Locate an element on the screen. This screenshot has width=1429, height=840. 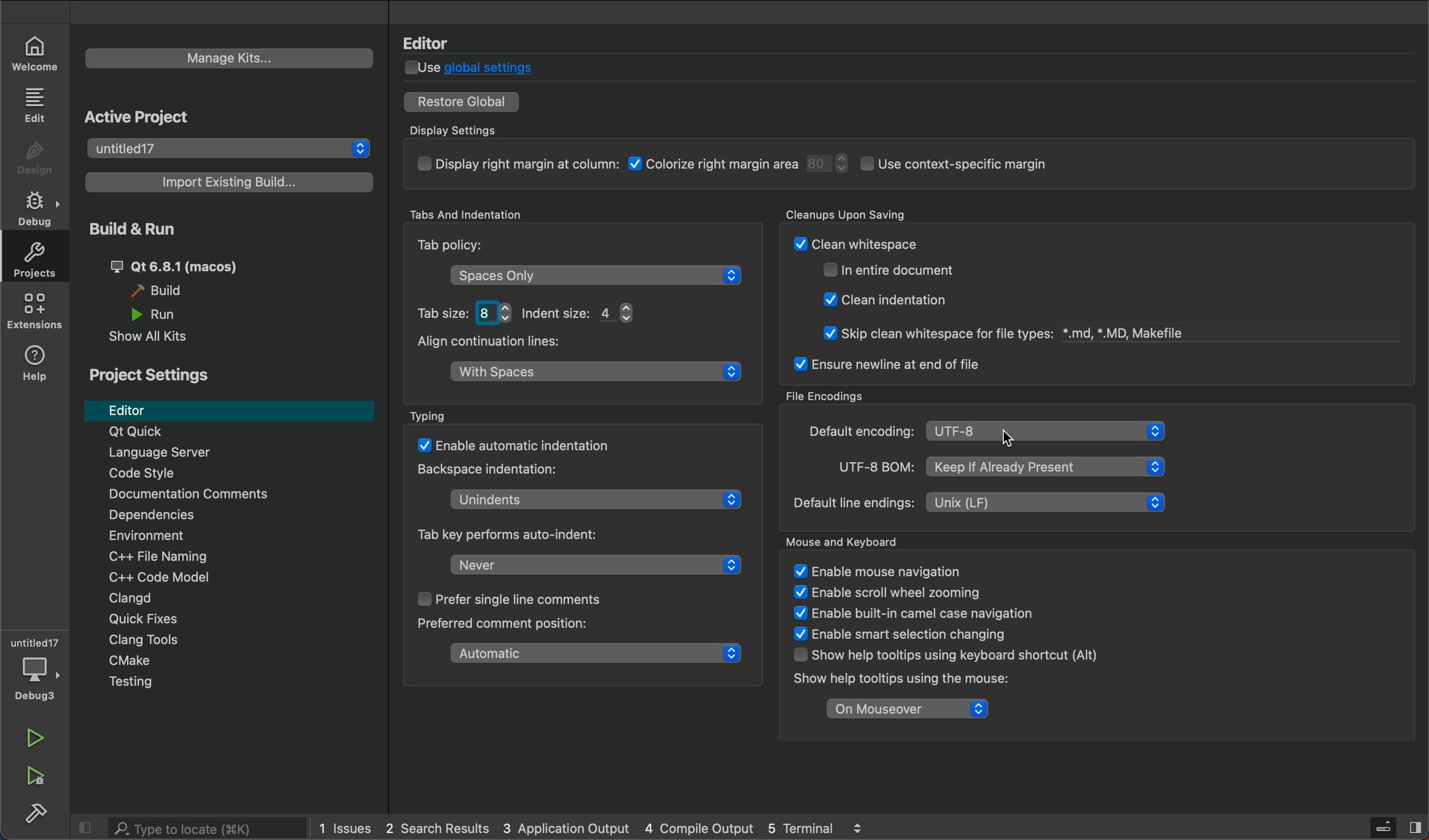
ensure newline is located at coordinates (885, 362).